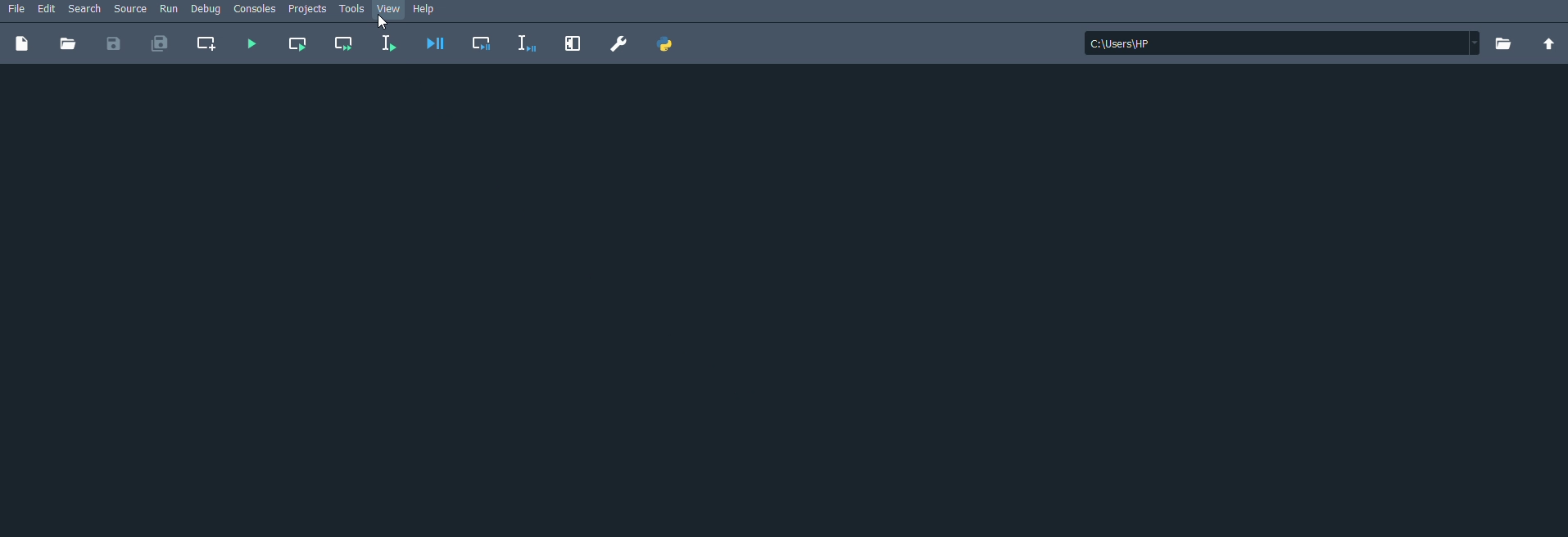  What do you see at coordinates (23, 43) in the screenshot?
I see `New file` at bounding box center [23, 43].